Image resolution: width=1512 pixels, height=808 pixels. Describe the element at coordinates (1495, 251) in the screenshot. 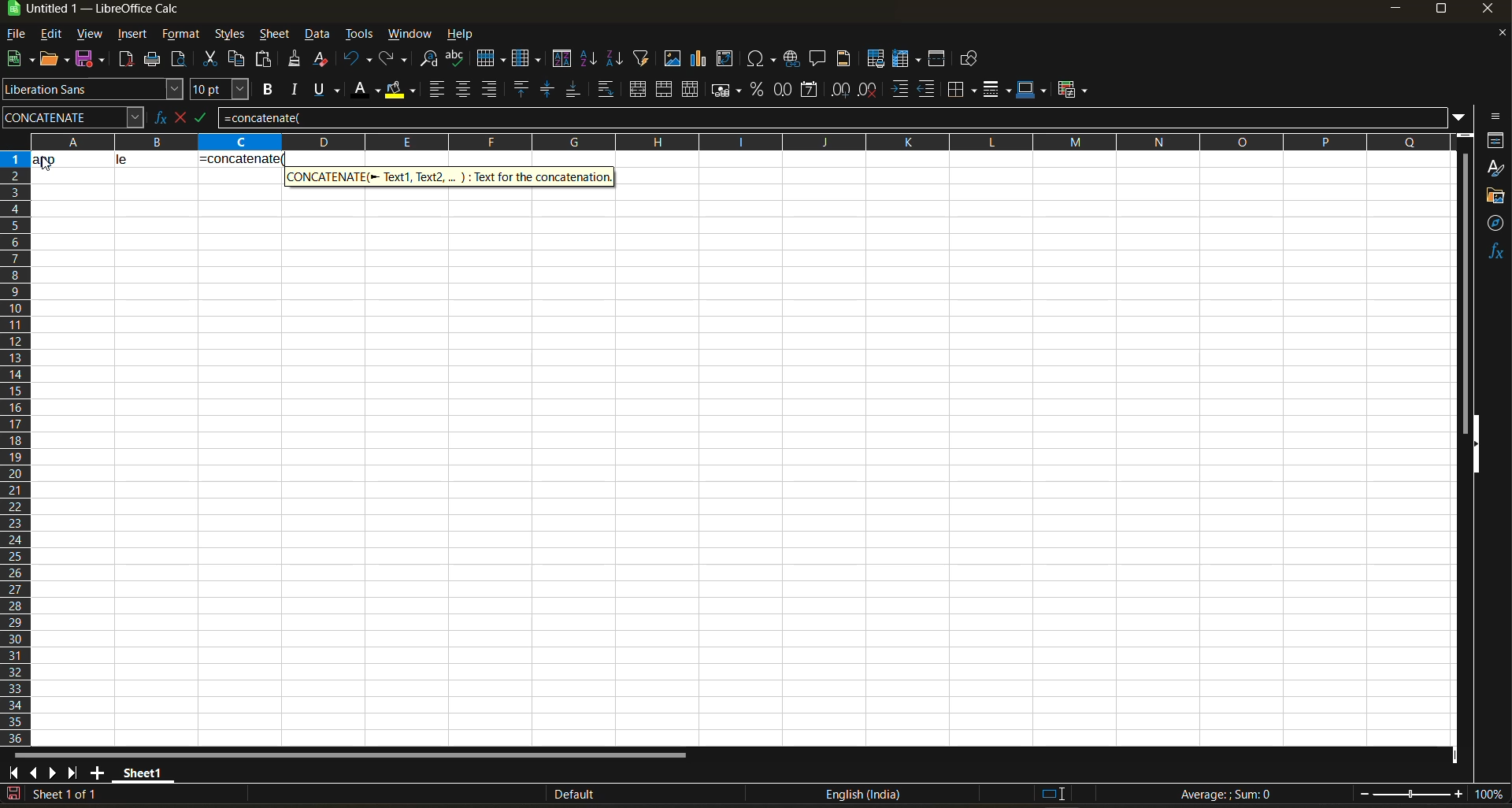

I see `functions` at that location.